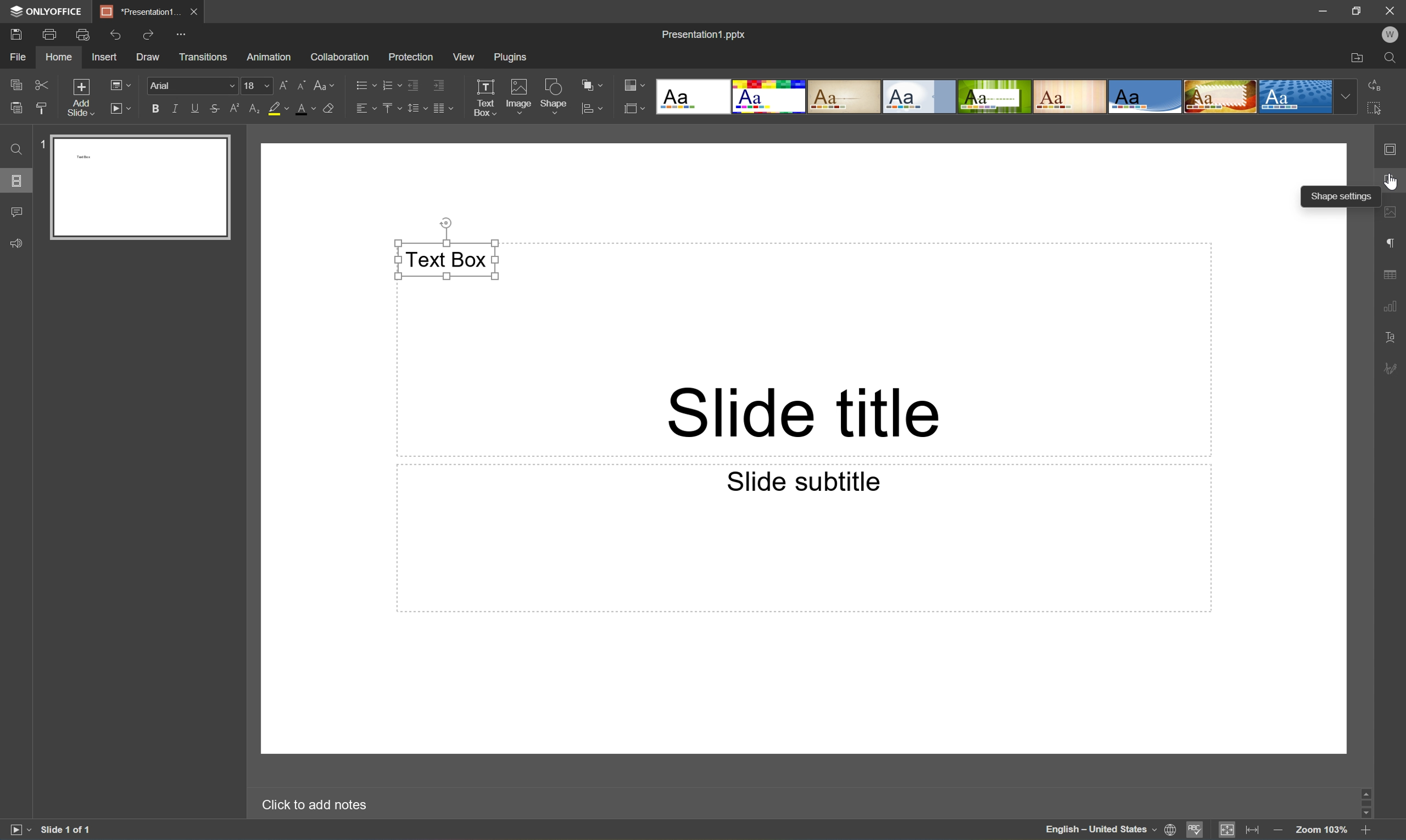  What do you see at coordinates (1170, 830) in the screenshot?
I see `Set document language` at bounding box center [1170, 830].